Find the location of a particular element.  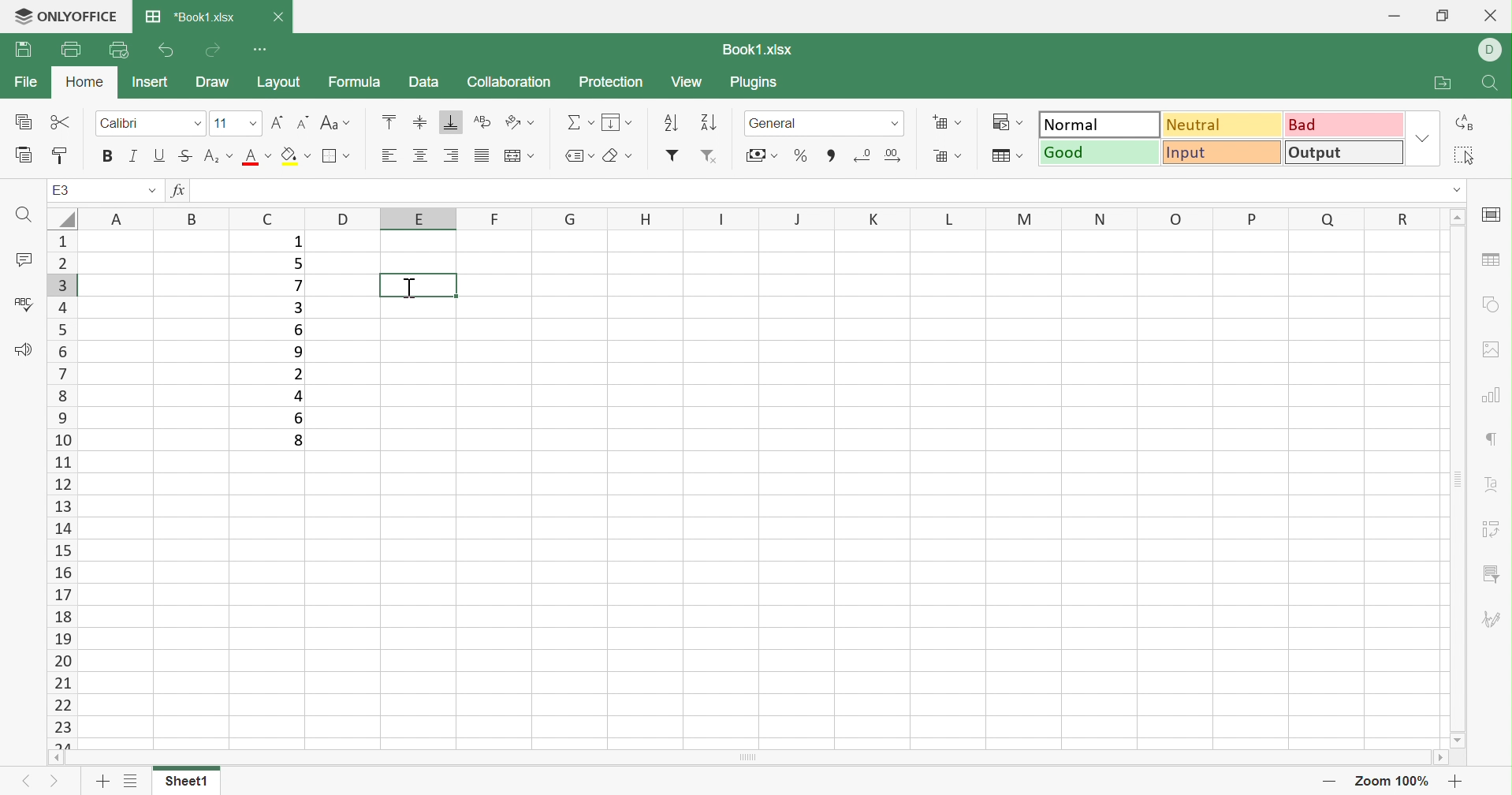

Comma style is located at coordinates (832, 156).